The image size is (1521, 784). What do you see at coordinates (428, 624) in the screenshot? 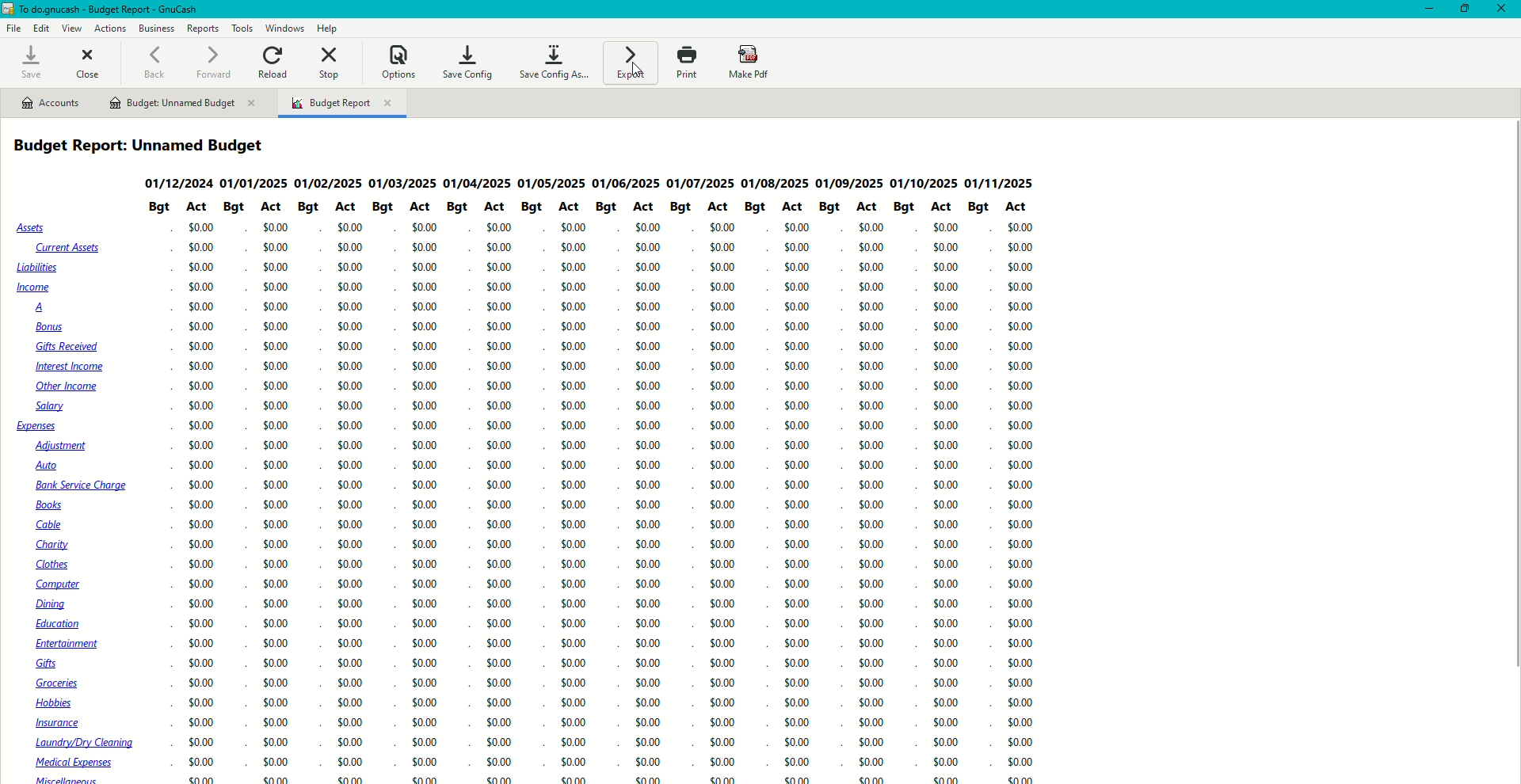
I see `$0.00` at bounding box center [428, 624].